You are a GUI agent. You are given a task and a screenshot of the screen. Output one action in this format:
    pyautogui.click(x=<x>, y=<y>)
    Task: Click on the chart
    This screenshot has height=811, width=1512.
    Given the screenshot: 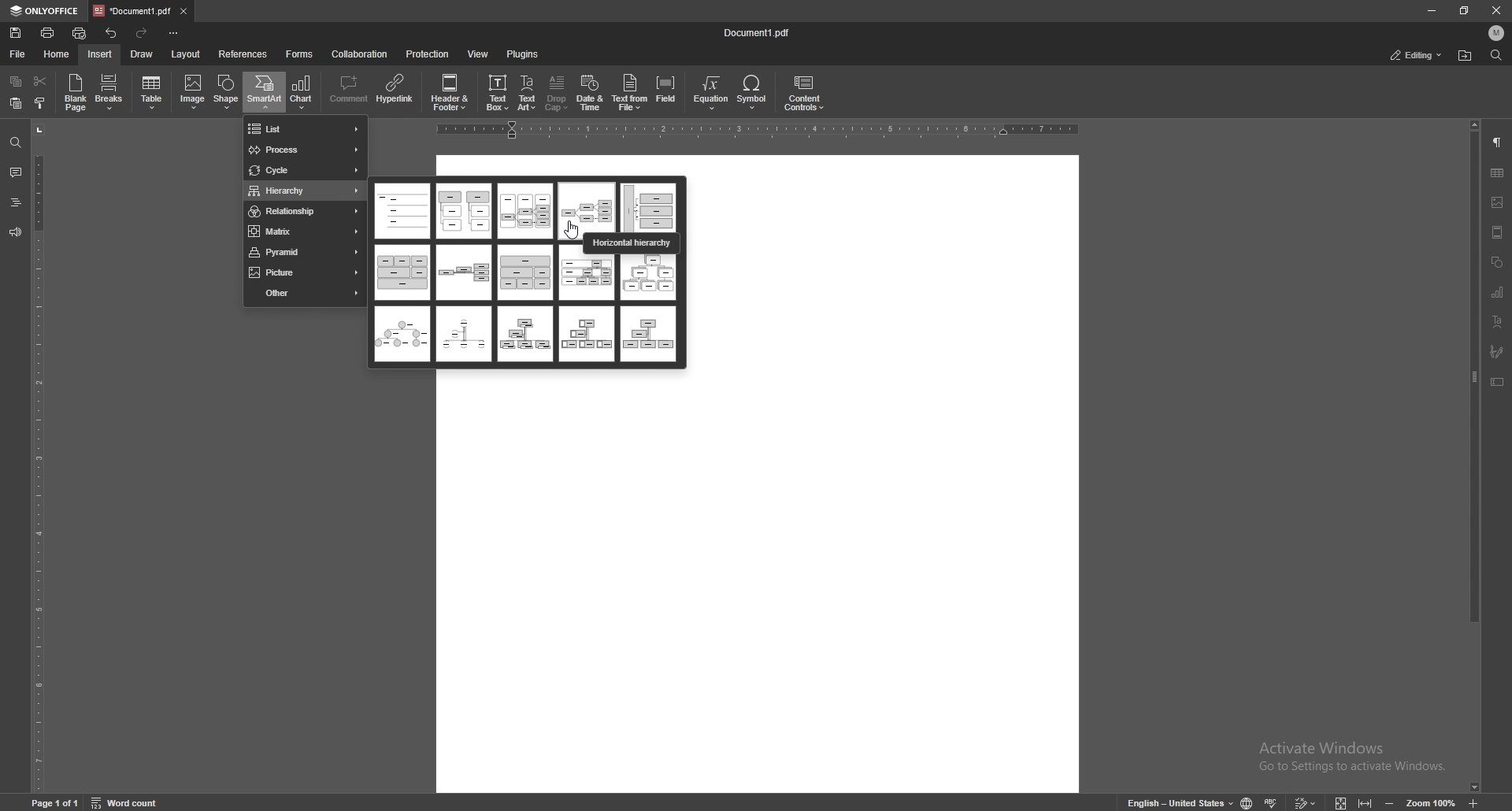 What is the action you would take?
    pyautogui.click(x=1499, y=291)
    